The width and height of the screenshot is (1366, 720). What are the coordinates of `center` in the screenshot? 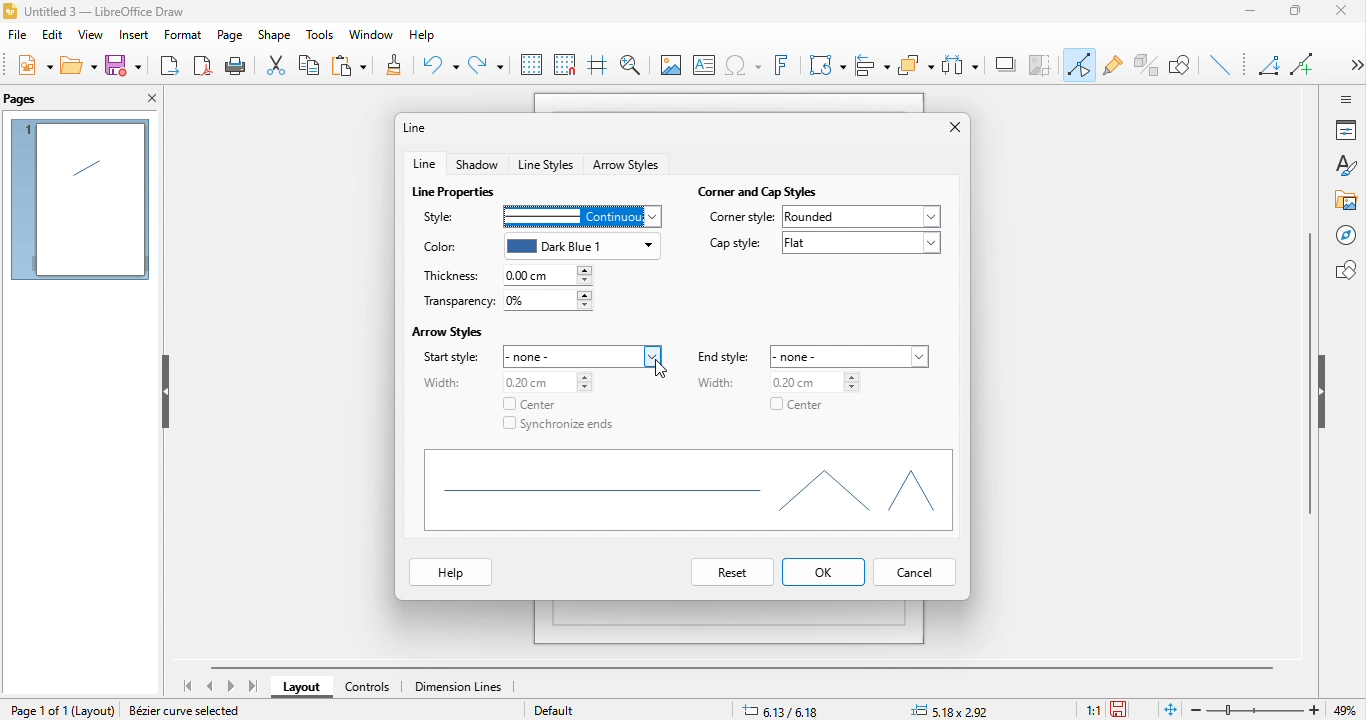 It's located at (533, 405).